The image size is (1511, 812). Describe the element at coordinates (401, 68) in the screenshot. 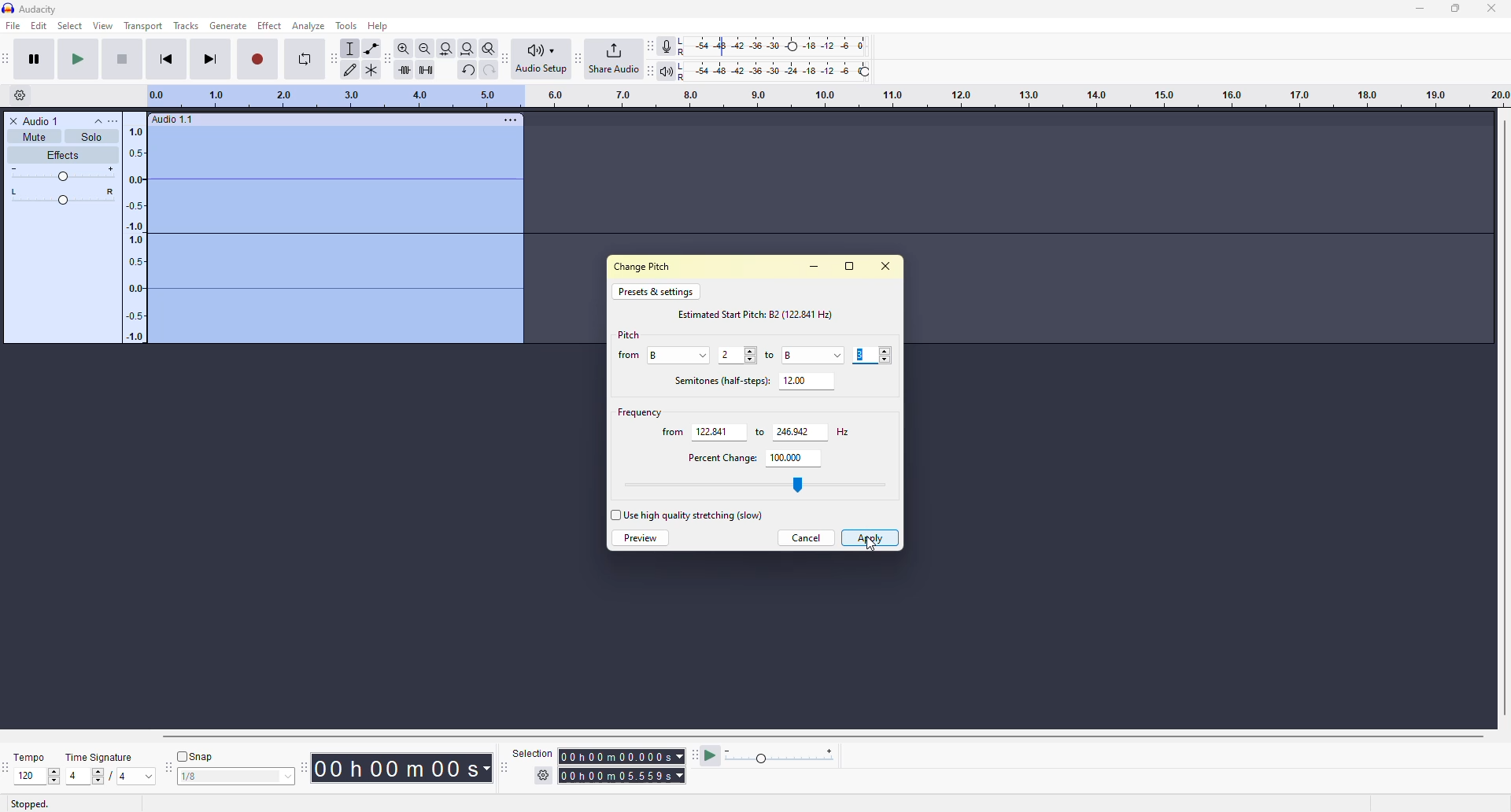

I see `trim audio outside selection` at that location.